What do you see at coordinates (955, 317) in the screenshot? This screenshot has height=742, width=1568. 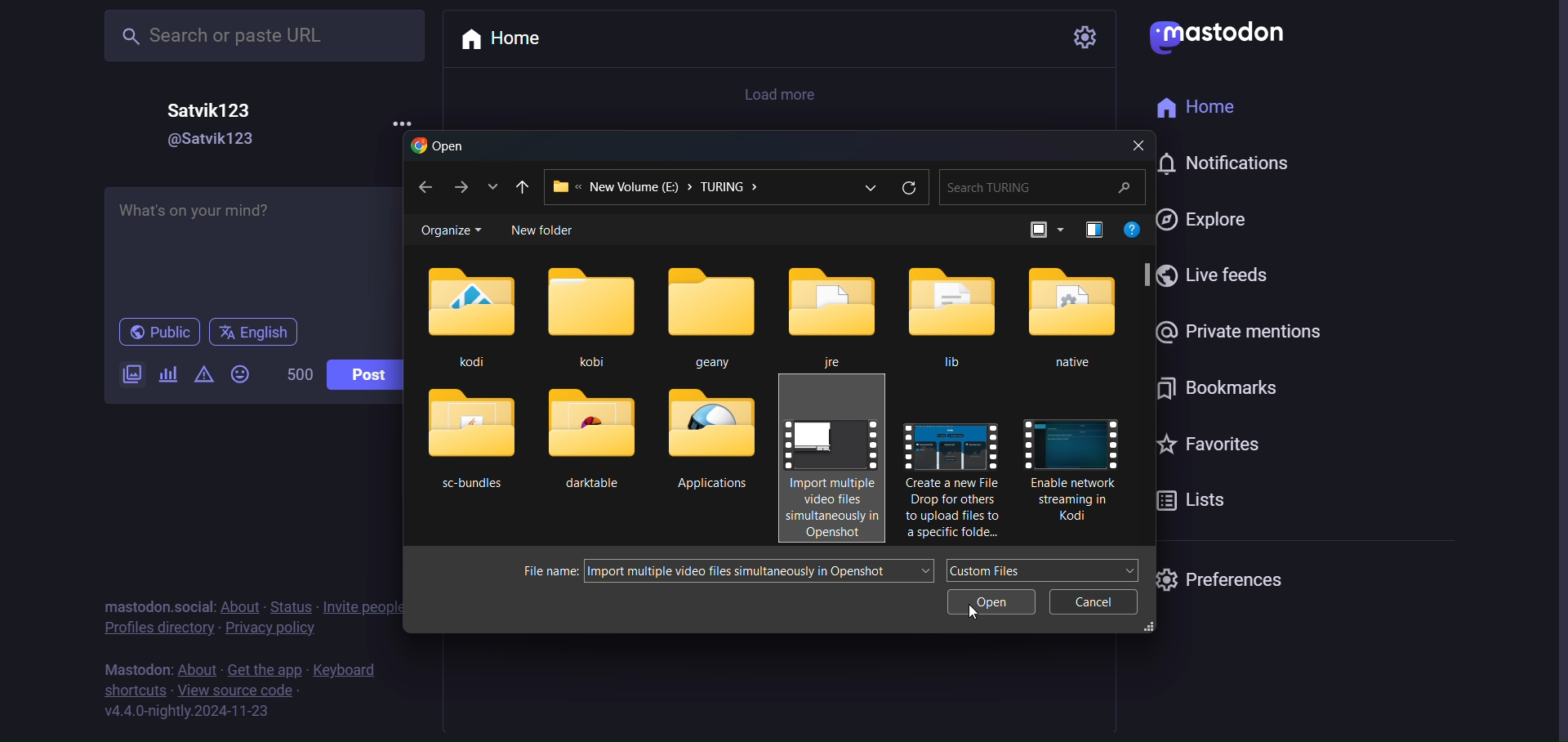 I see `lib` at bounding box center [955, 317].